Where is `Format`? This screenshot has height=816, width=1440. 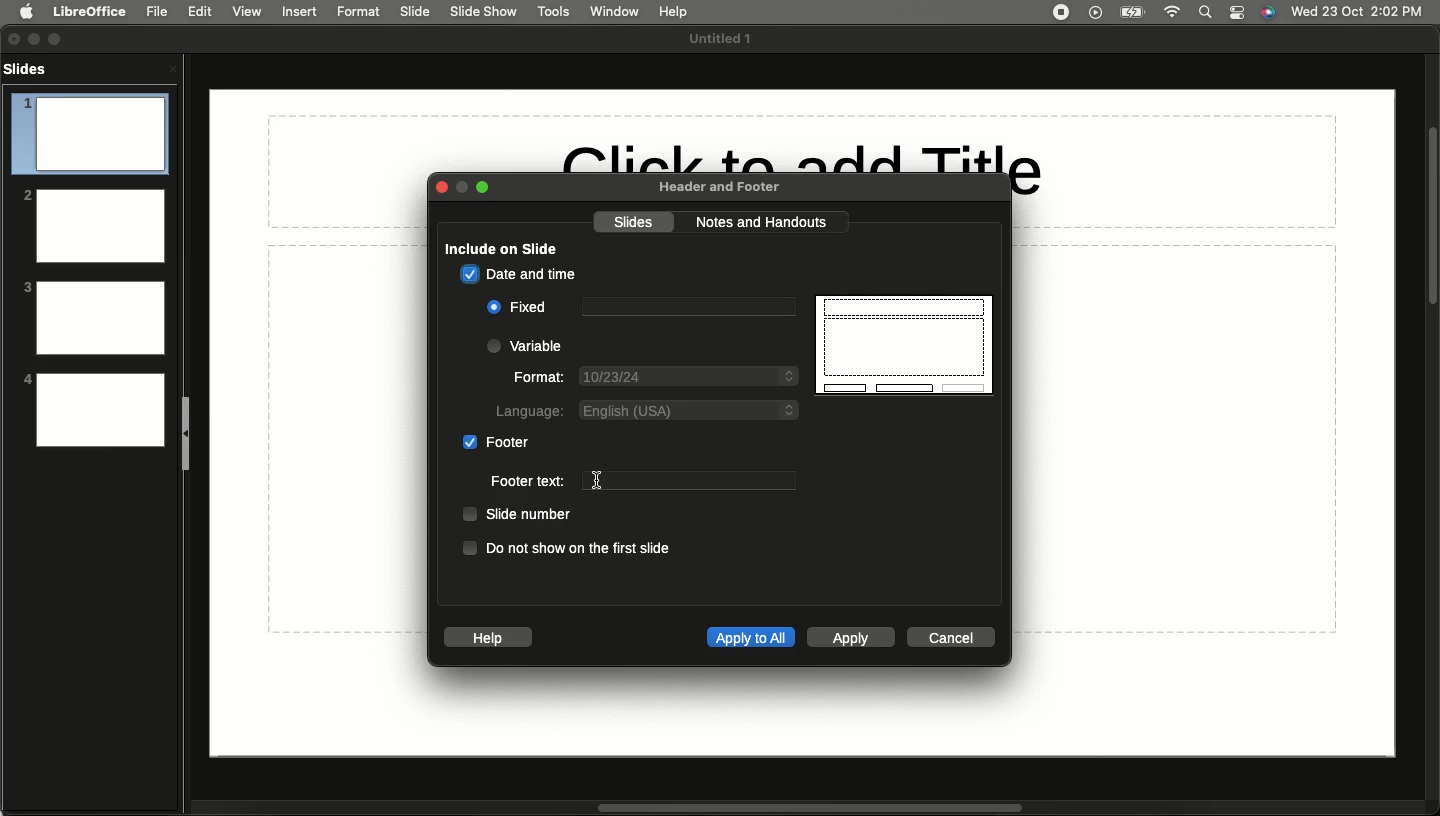 Format is located at coordinates (359, 11).